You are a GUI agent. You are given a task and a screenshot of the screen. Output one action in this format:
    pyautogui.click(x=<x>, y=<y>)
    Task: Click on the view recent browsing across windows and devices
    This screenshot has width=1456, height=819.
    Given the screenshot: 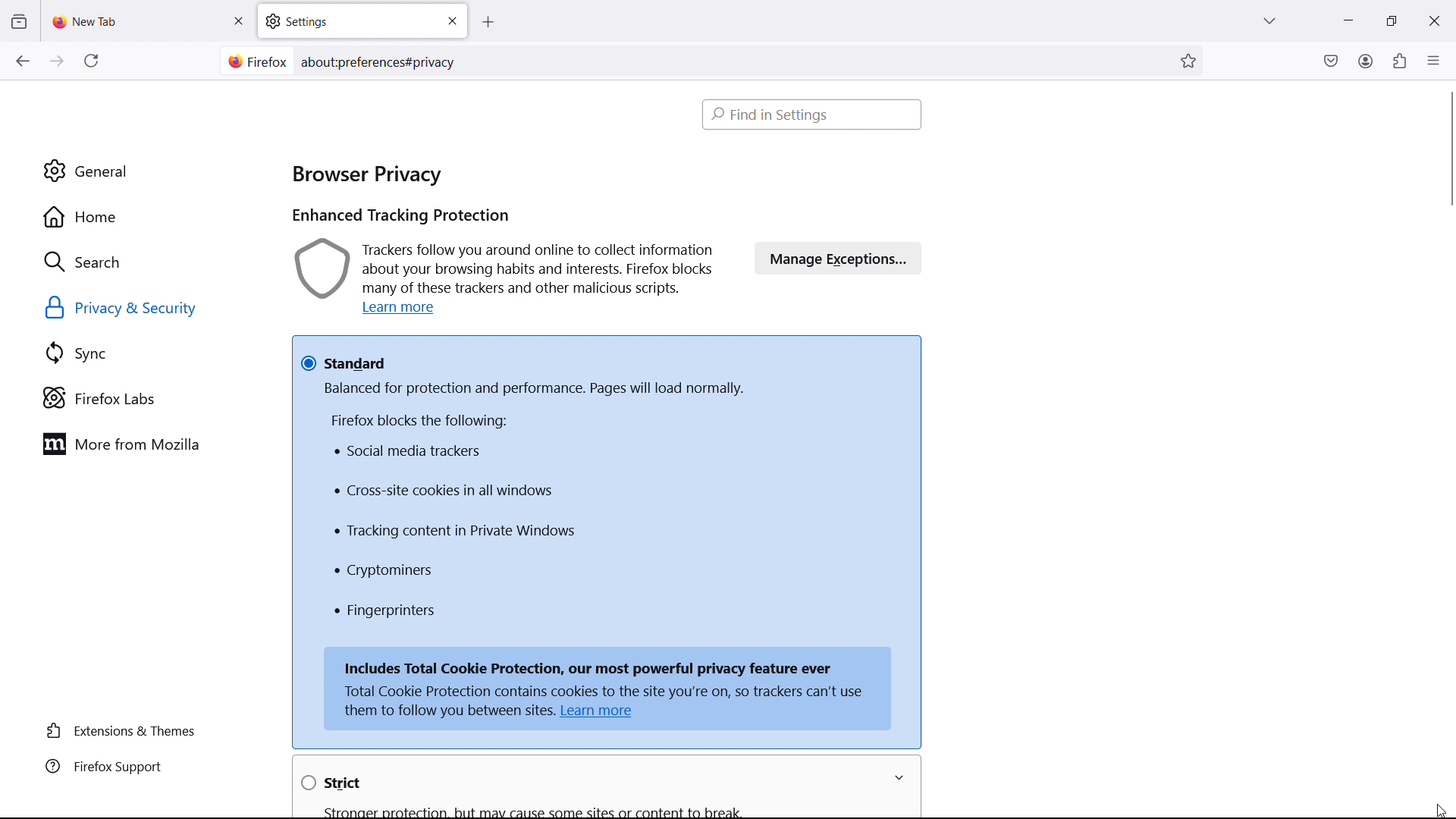 What is the action you would take?
    pyautogui.click(x=18, y=22)
    